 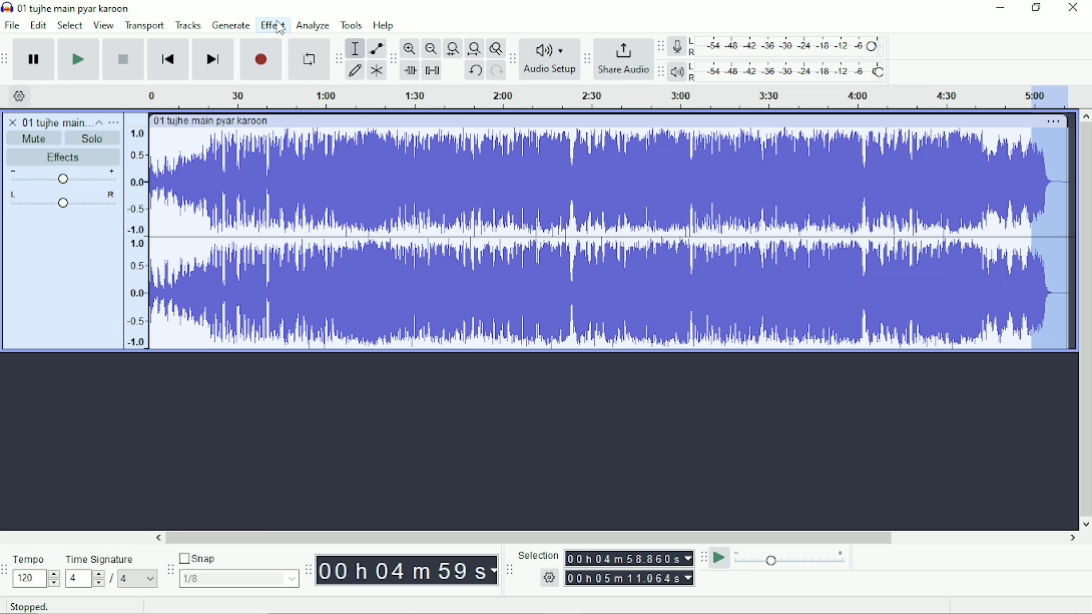 I want to click on Collapse, so click(x=101, y=123).